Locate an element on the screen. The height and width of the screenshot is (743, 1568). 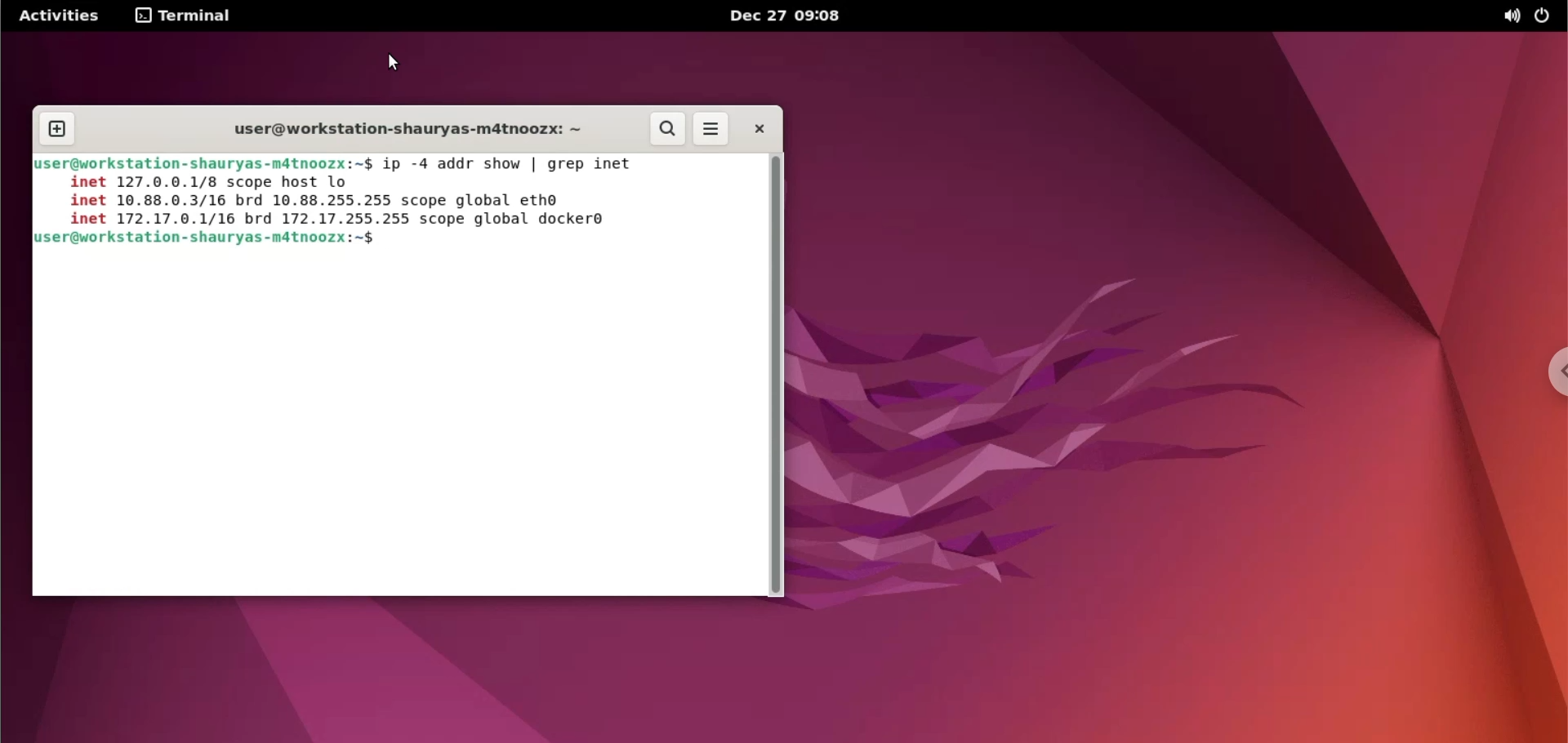
inet 12/.0.0.1/8 scope host Lo
inet 10.88.0.3/16 brd 10.88.255.255 scope global eth
inet 172.17.0.1/16 brd 172.17.255.255 scope global docker® is located at coordinates (335, 202).